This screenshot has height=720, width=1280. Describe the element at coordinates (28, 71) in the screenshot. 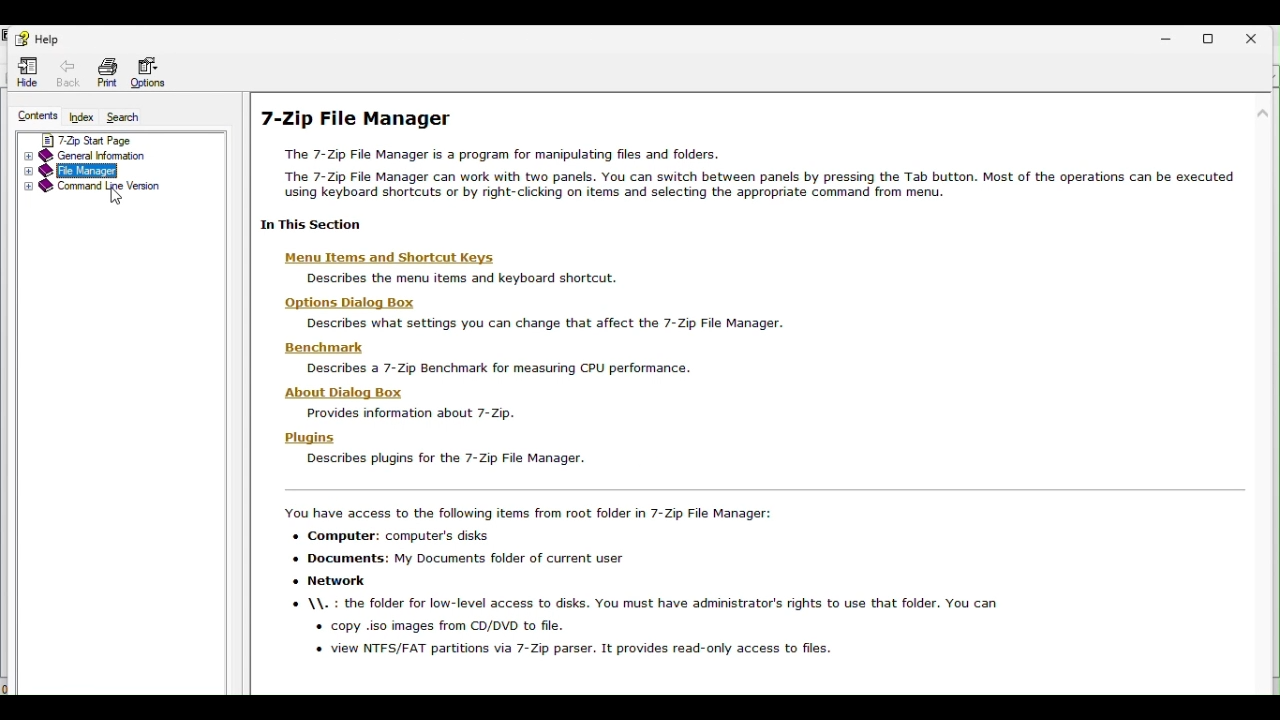

I see `hide` at that location.